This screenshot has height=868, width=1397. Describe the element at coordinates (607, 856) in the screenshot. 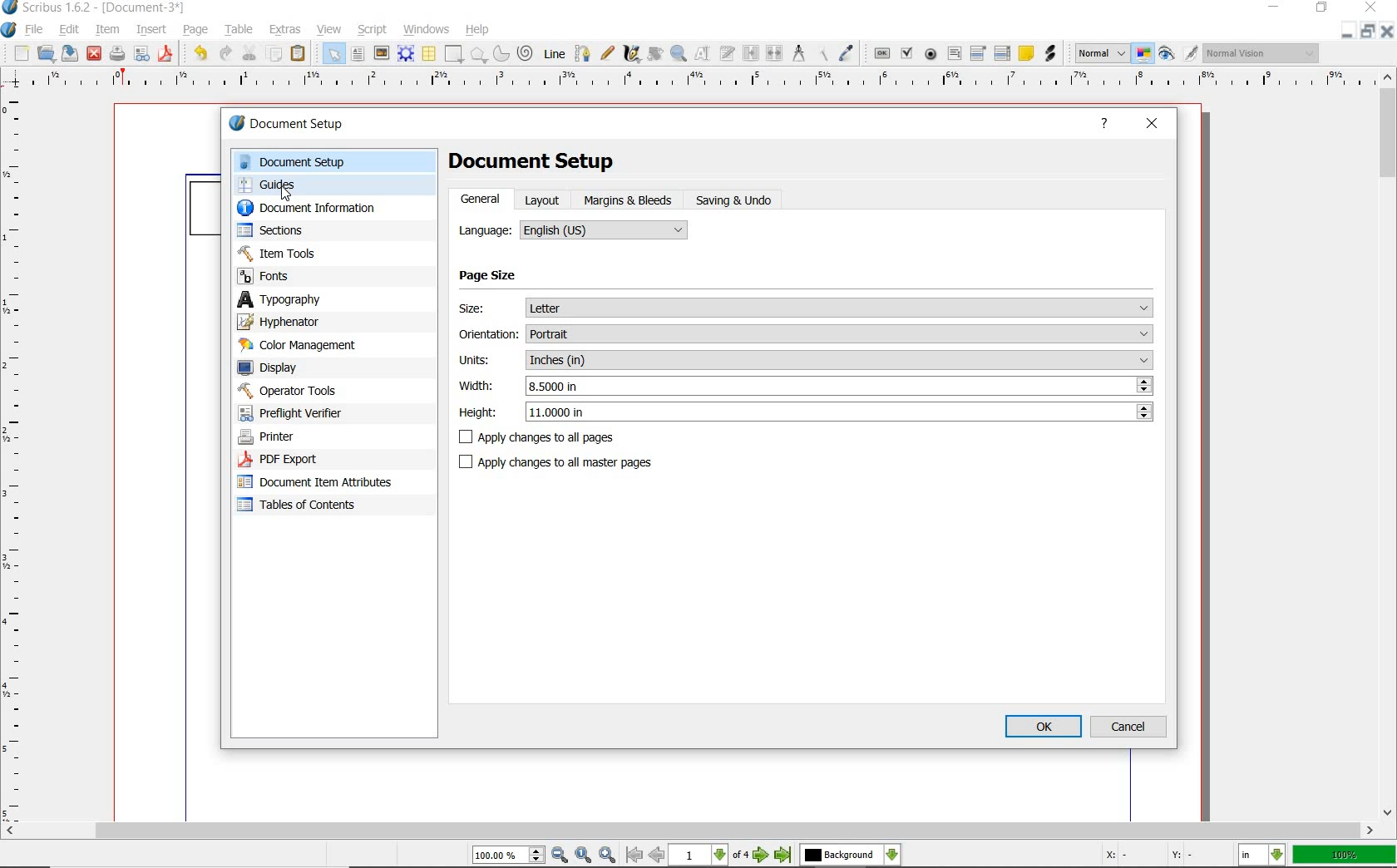

I see `zoom in` at that location.